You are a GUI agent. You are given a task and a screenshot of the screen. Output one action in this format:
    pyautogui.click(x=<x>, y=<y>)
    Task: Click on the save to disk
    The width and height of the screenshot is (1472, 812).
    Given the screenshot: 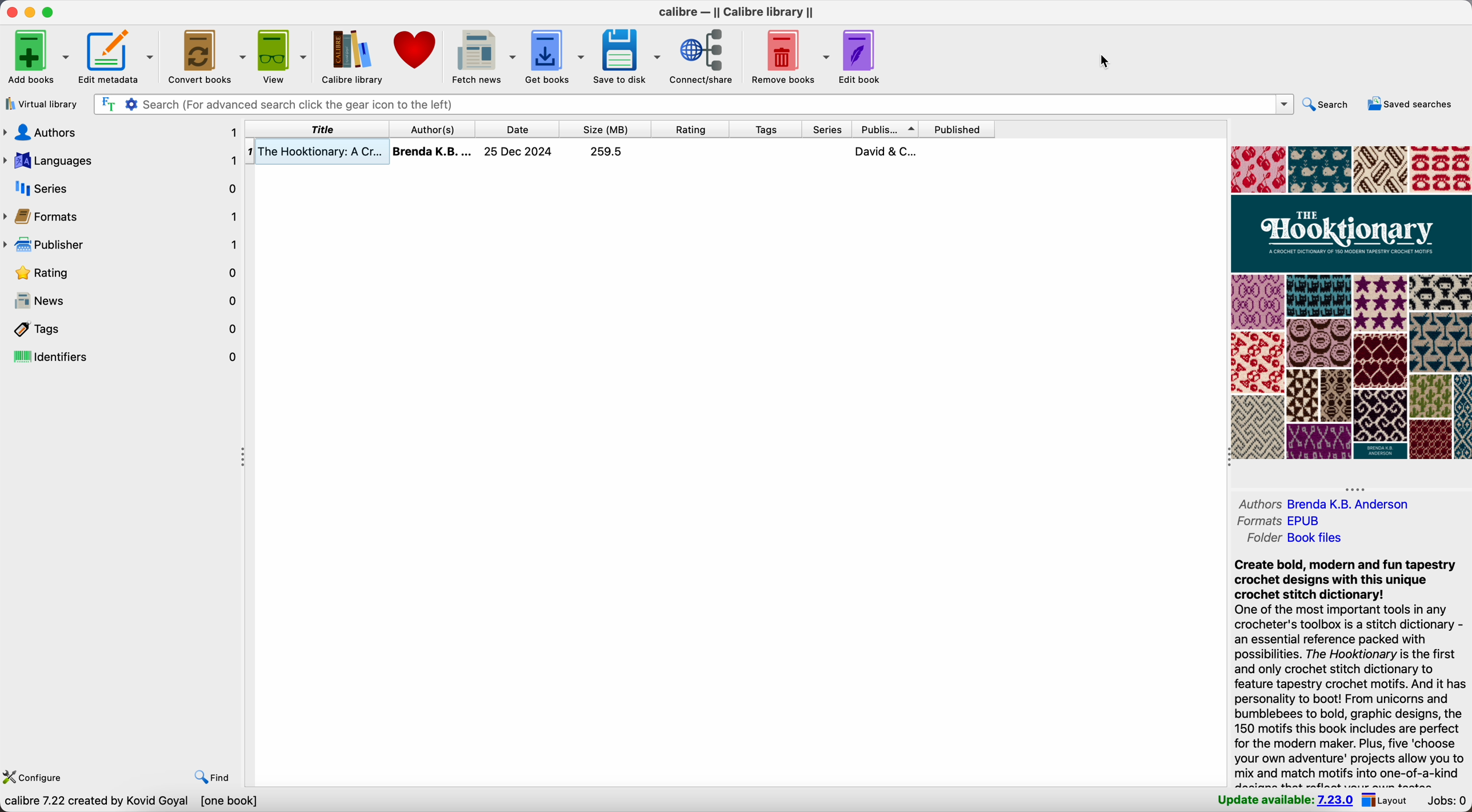 What is the action you would take?
    pyautogui.click(x=629, y=54)
    